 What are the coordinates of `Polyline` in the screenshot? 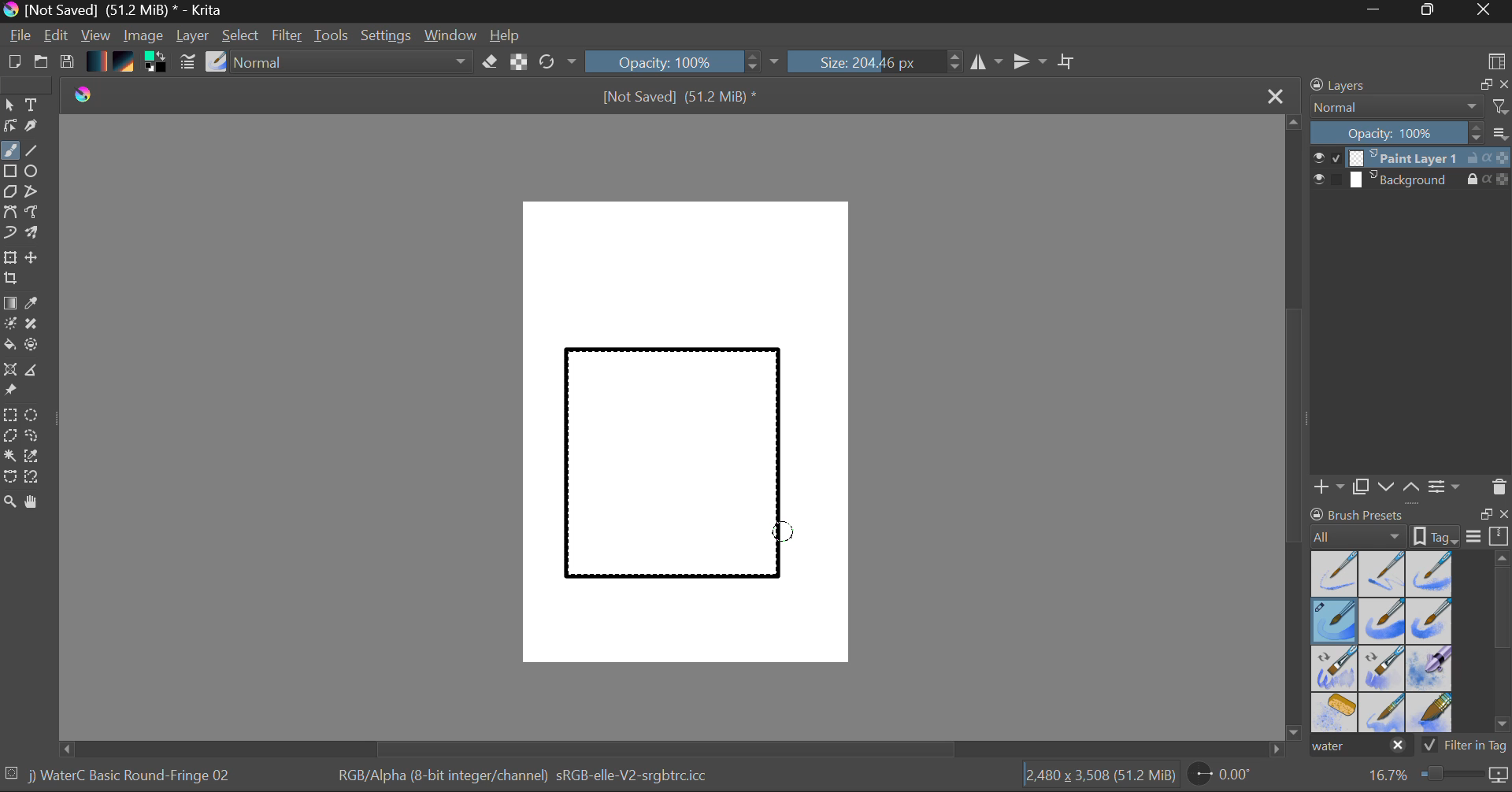 It's located at (33, 193).